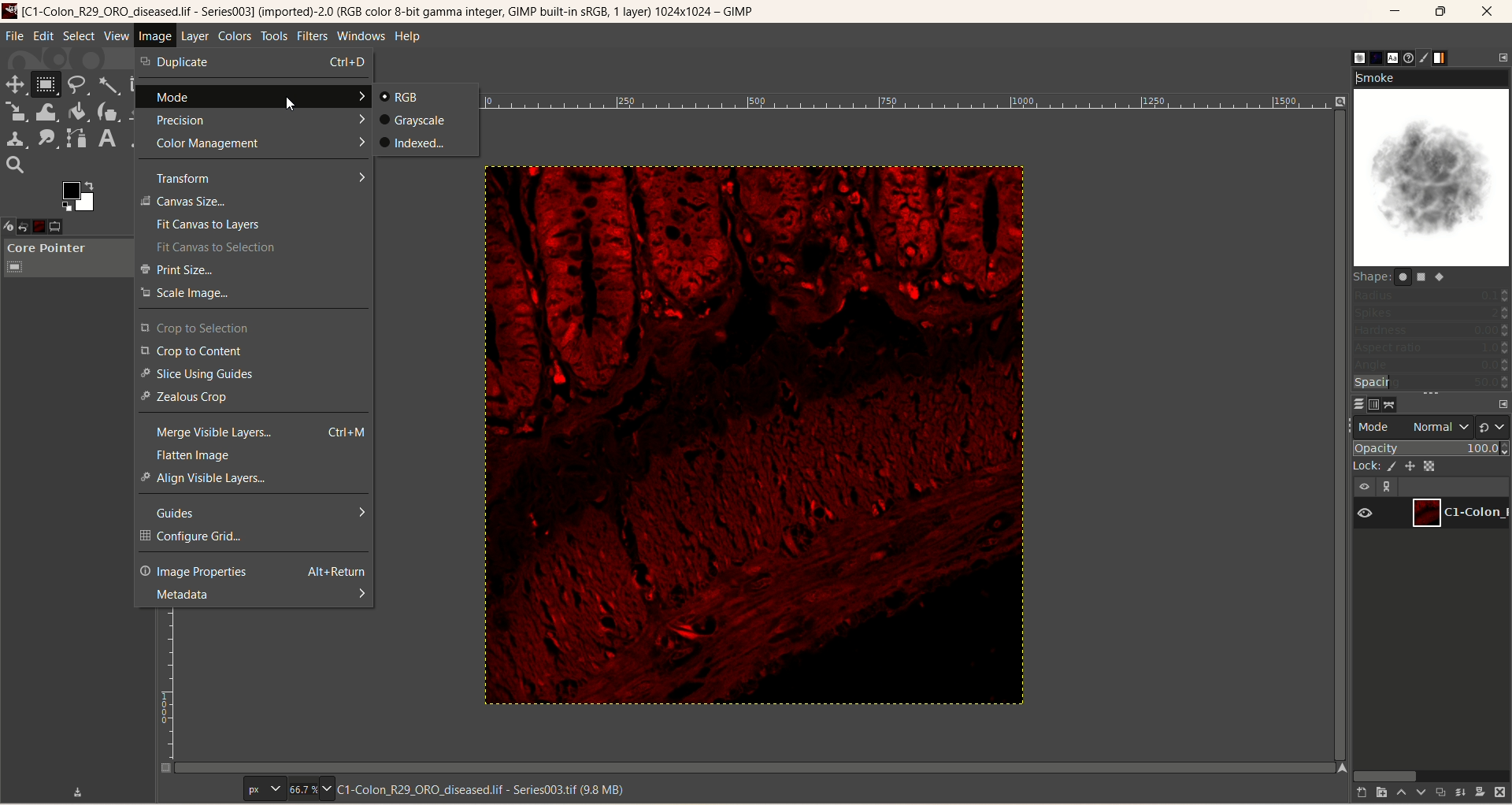 The width and height of the screenshot is (1512, 805). I want to click on merge visible layers, so click(254, 432).